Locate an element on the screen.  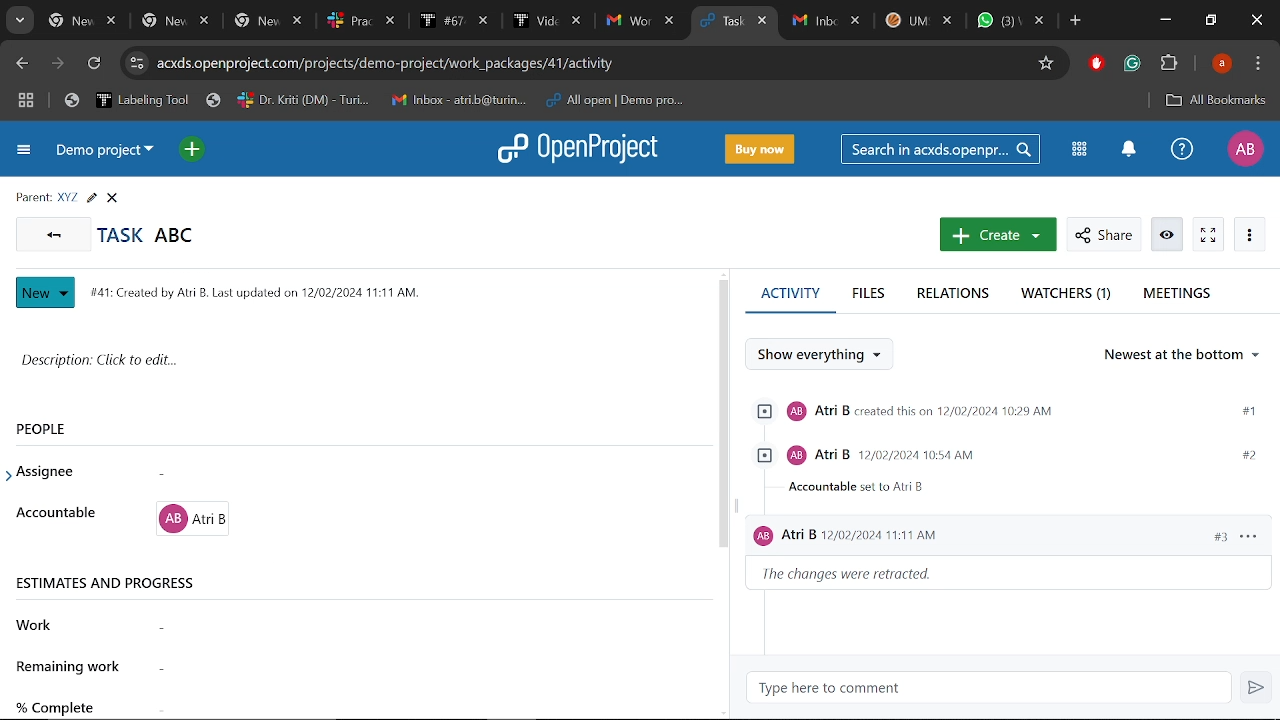
site info is located at coordinates (136, 63).